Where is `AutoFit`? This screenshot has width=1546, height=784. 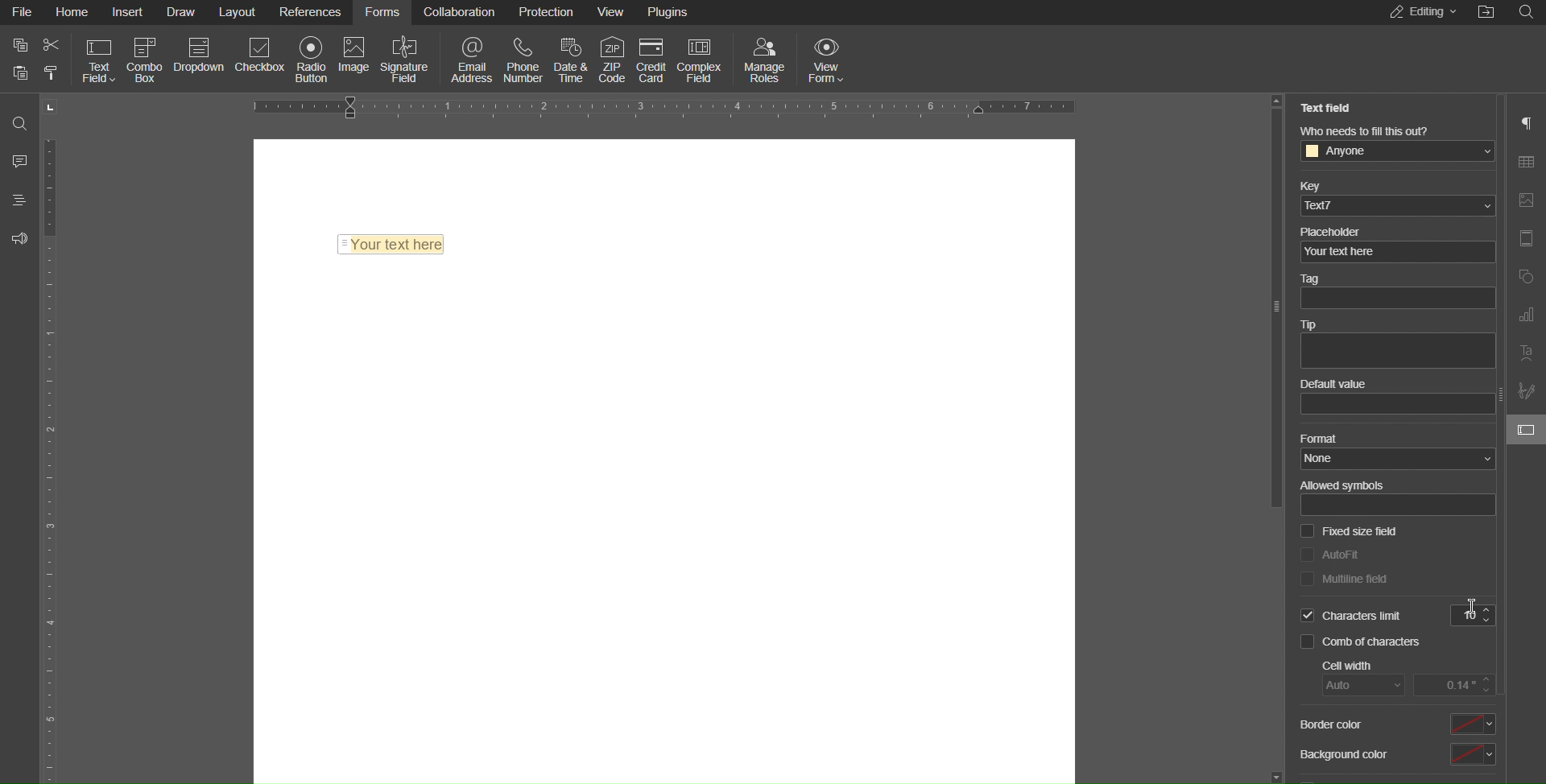 AutoFit is located at coordinates (1329, 553).